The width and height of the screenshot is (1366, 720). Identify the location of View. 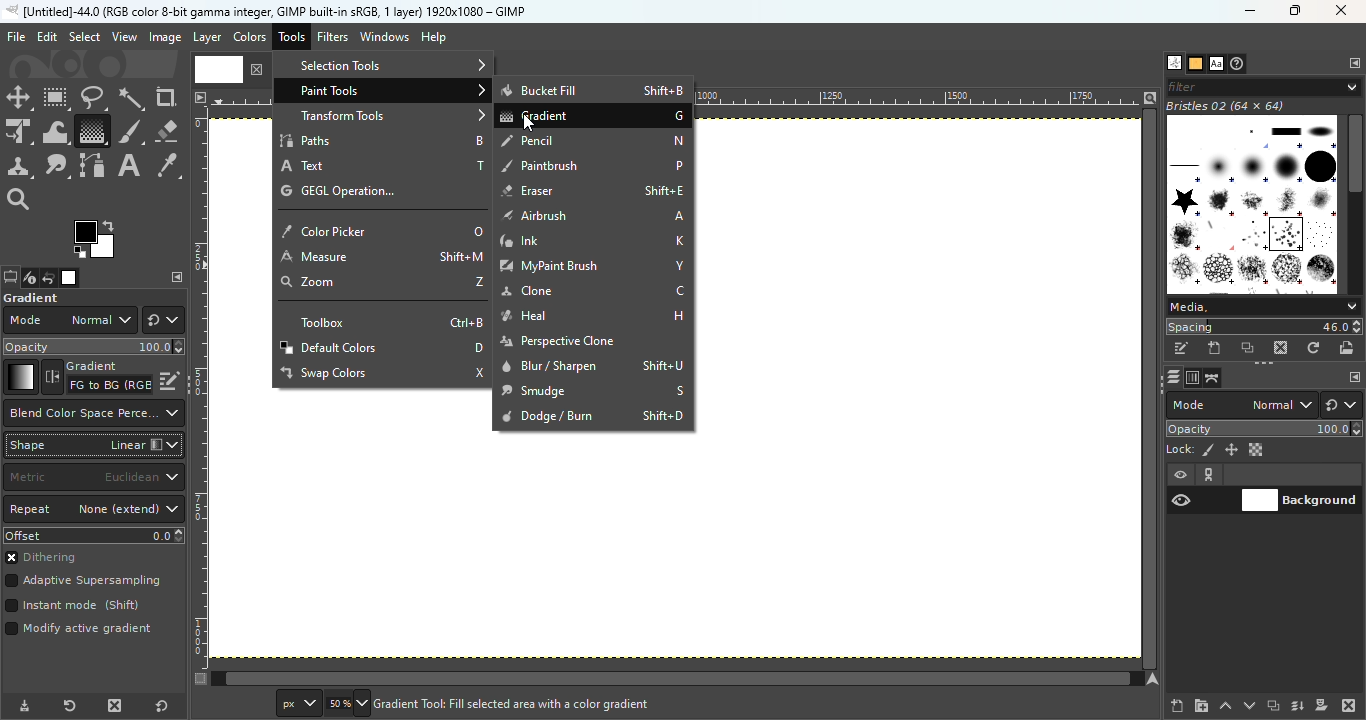
(125, 37).